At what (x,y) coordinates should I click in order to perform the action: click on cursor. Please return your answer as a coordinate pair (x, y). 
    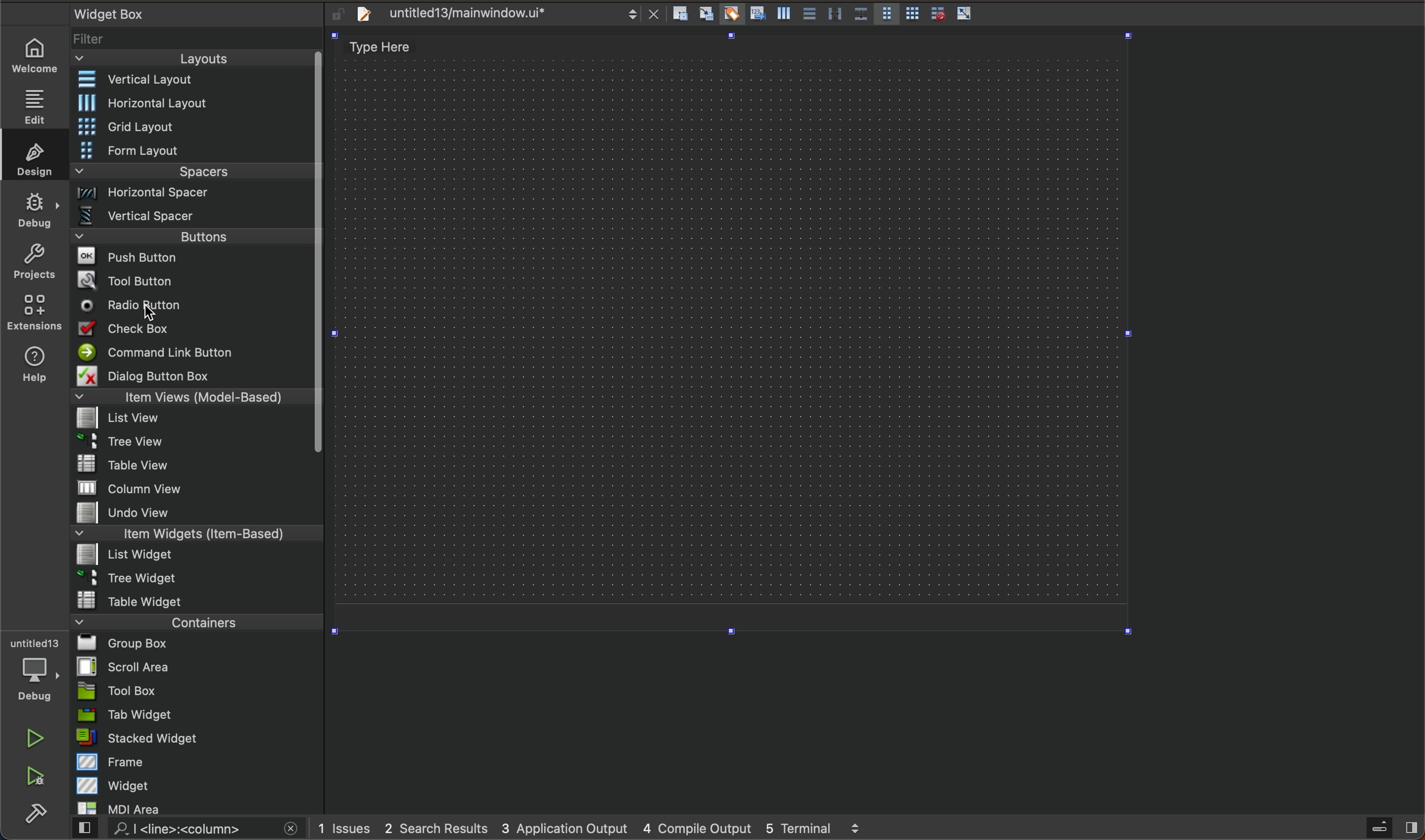
    Looking at the image, I should click on (155, 312).